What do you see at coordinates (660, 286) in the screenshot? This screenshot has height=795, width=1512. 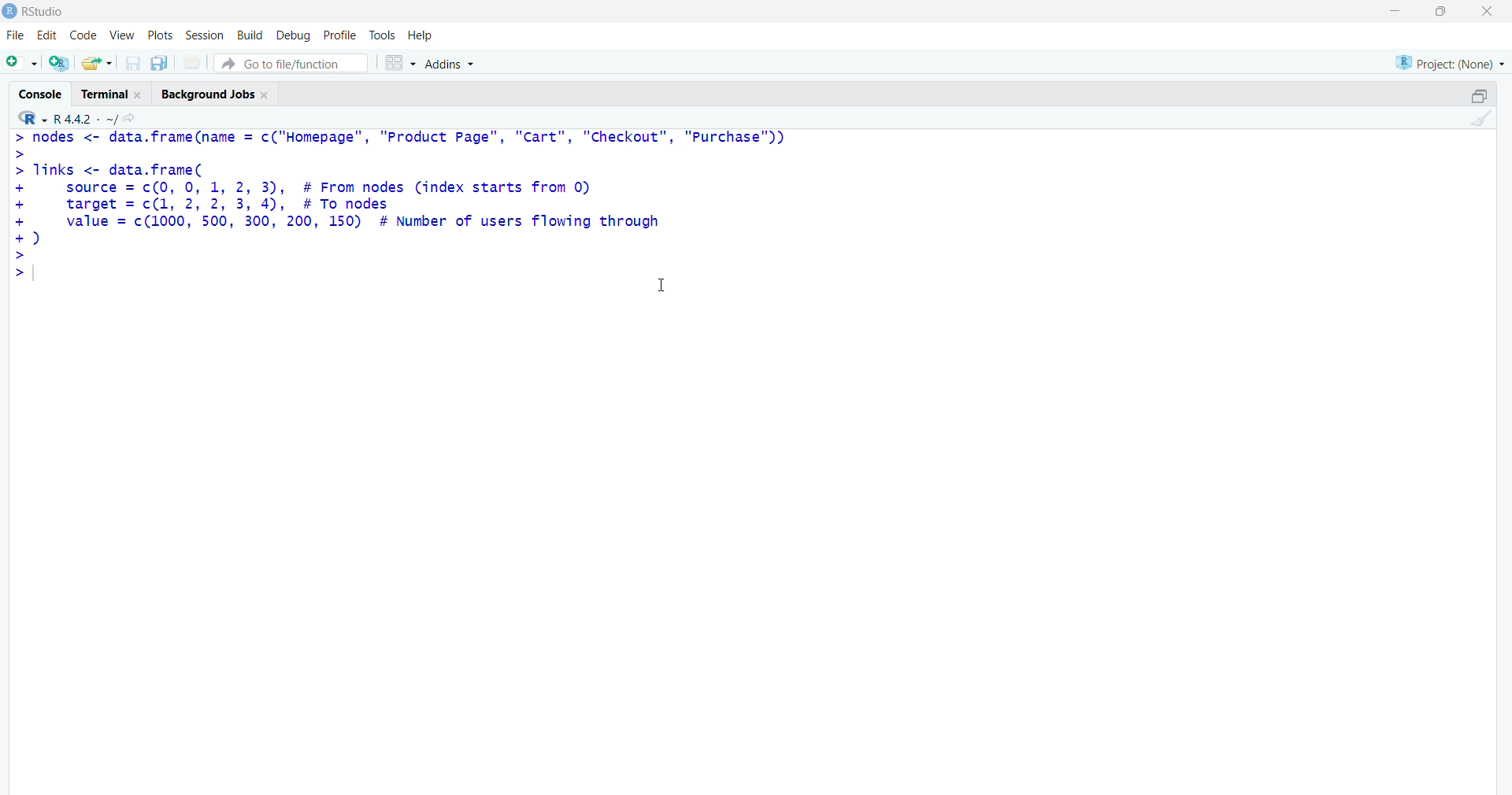 I see `cursor` at bounding box center [660, 286].